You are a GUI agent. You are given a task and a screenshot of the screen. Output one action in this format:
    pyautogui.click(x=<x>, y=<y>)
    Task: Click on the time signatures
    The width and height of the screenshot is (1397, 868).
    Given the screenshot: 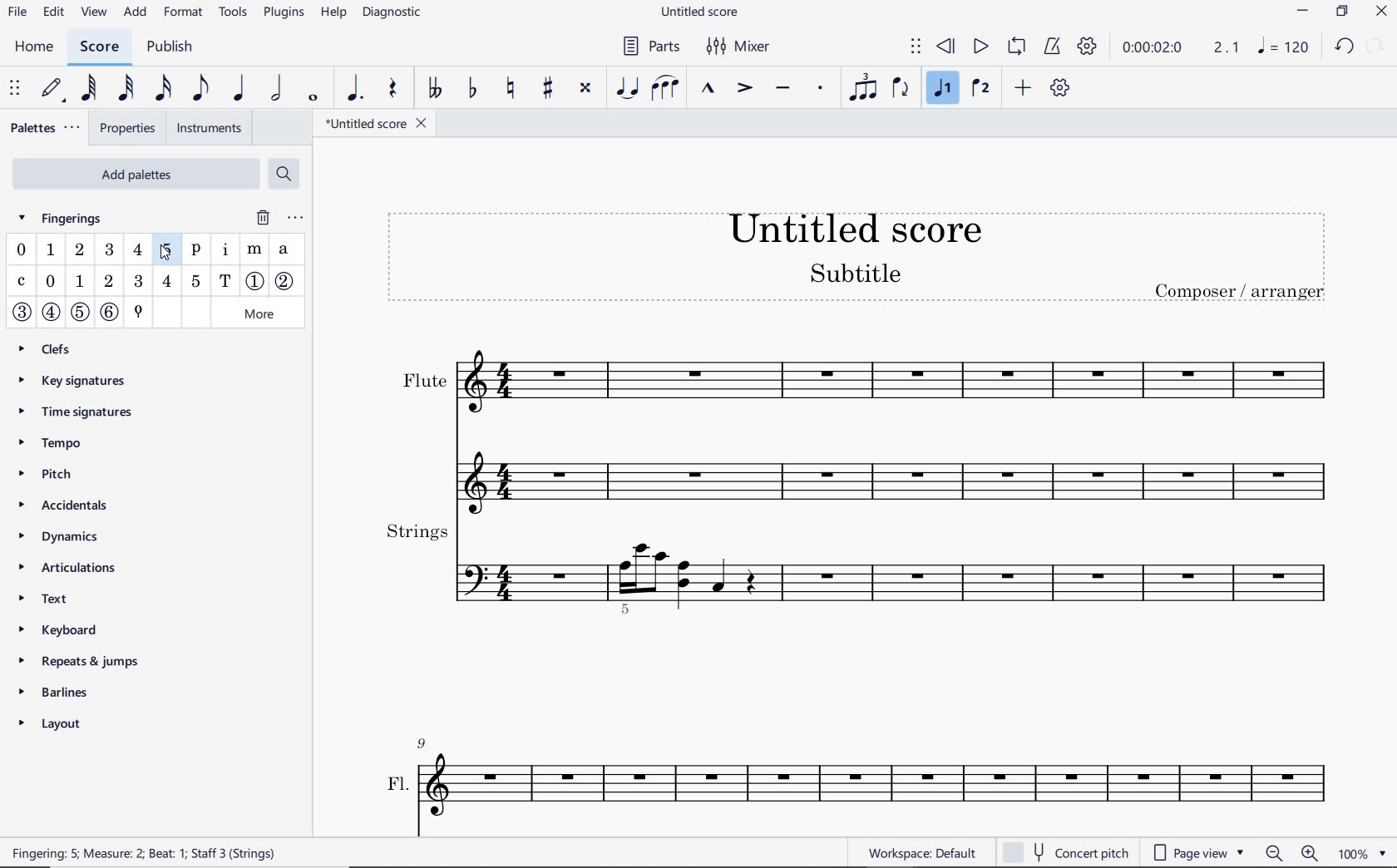 What is the action you would take?
    pyautogui.click(x=81, y=409)
    